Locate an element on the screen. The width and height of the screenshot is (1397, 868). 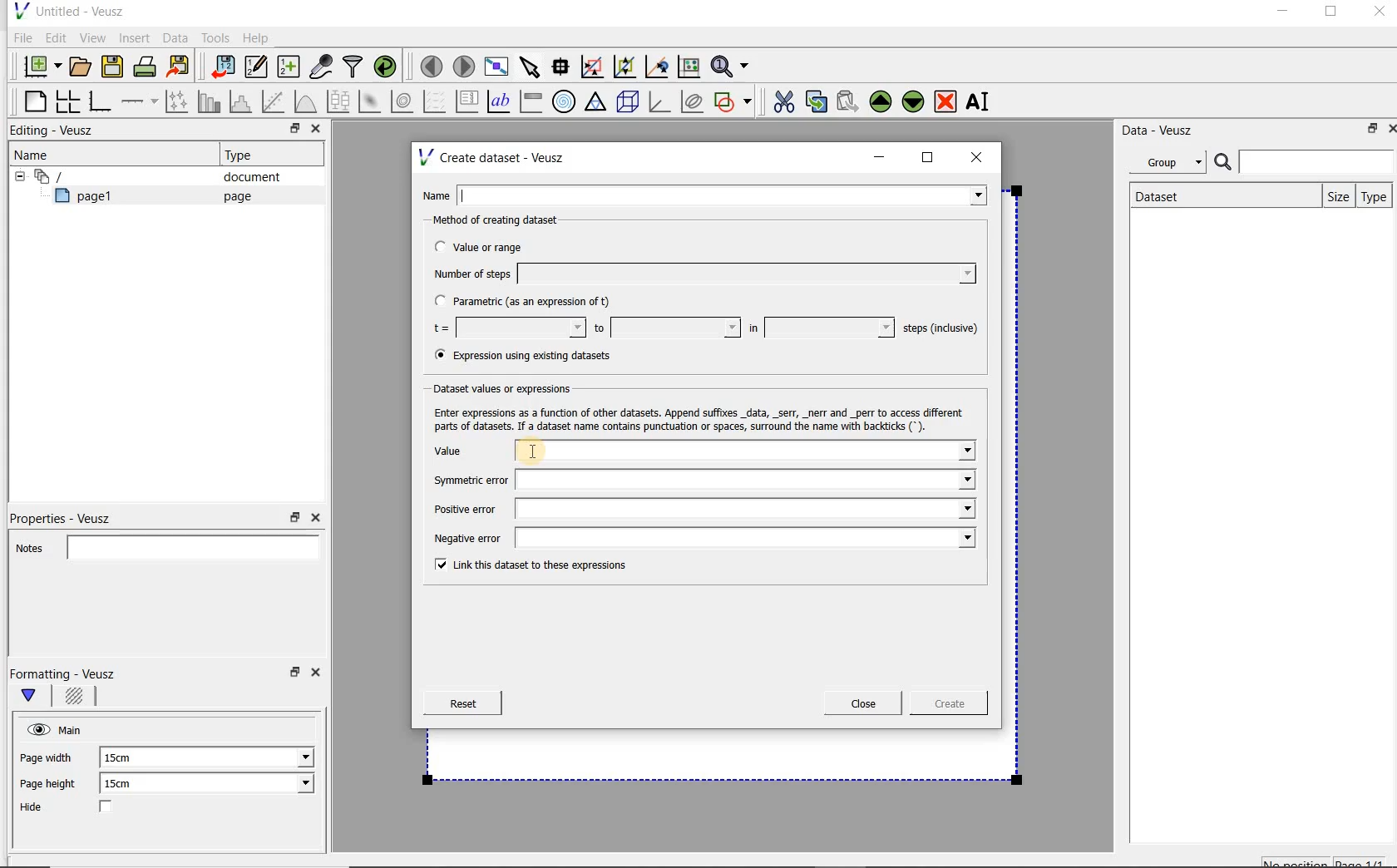
Page height dropdown is located at coordinates (294, 785).